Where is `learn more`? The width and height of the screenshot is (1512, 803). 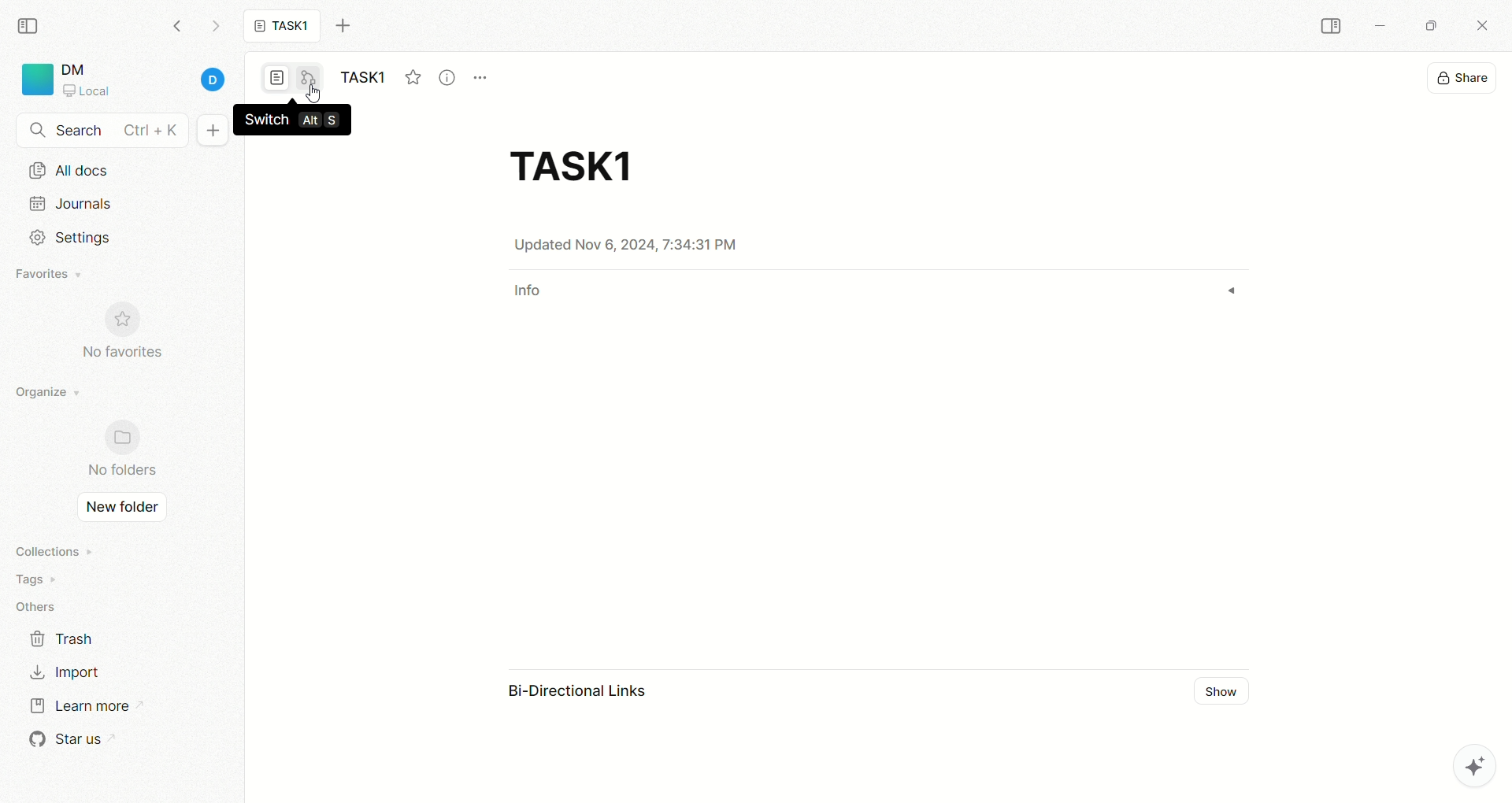 learn more is located at coordinates (78, 704).